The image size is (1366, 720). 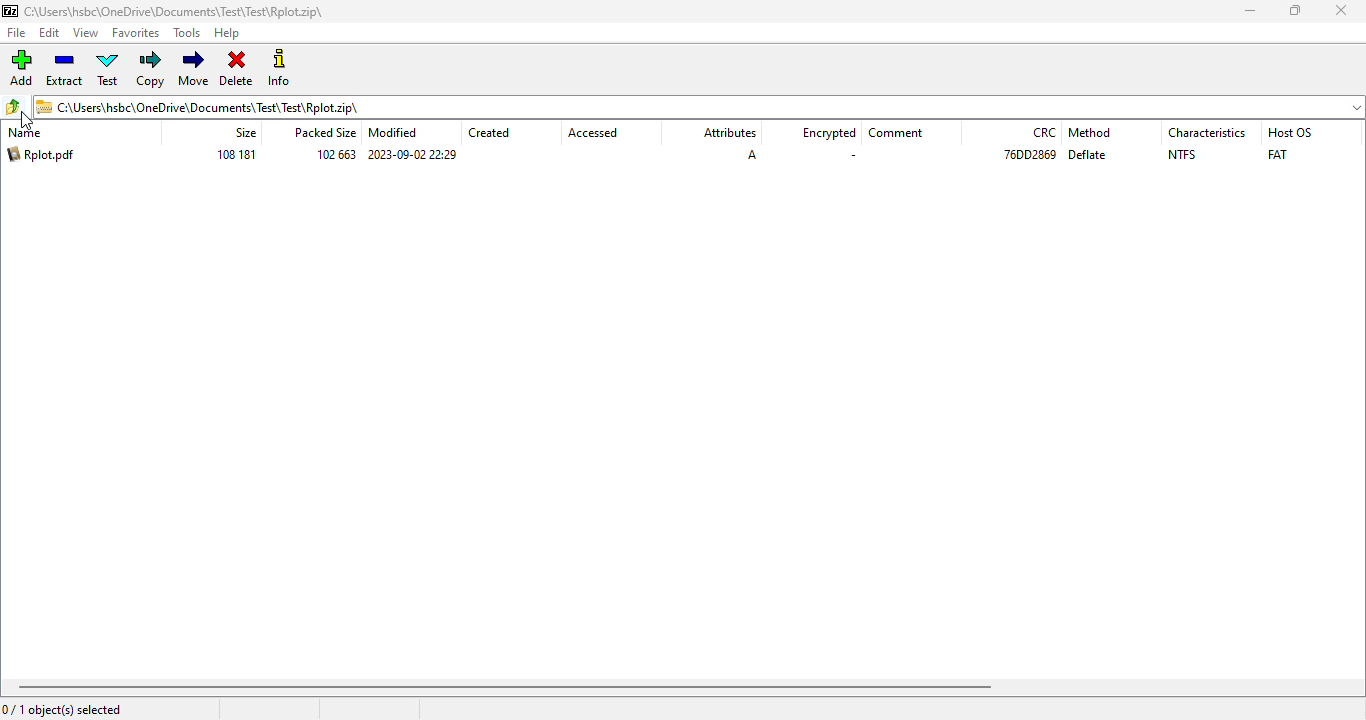 What do you see at coordinates (236, 153) in the screenshot?
I see `108 181` at bounding box center [236, 153].